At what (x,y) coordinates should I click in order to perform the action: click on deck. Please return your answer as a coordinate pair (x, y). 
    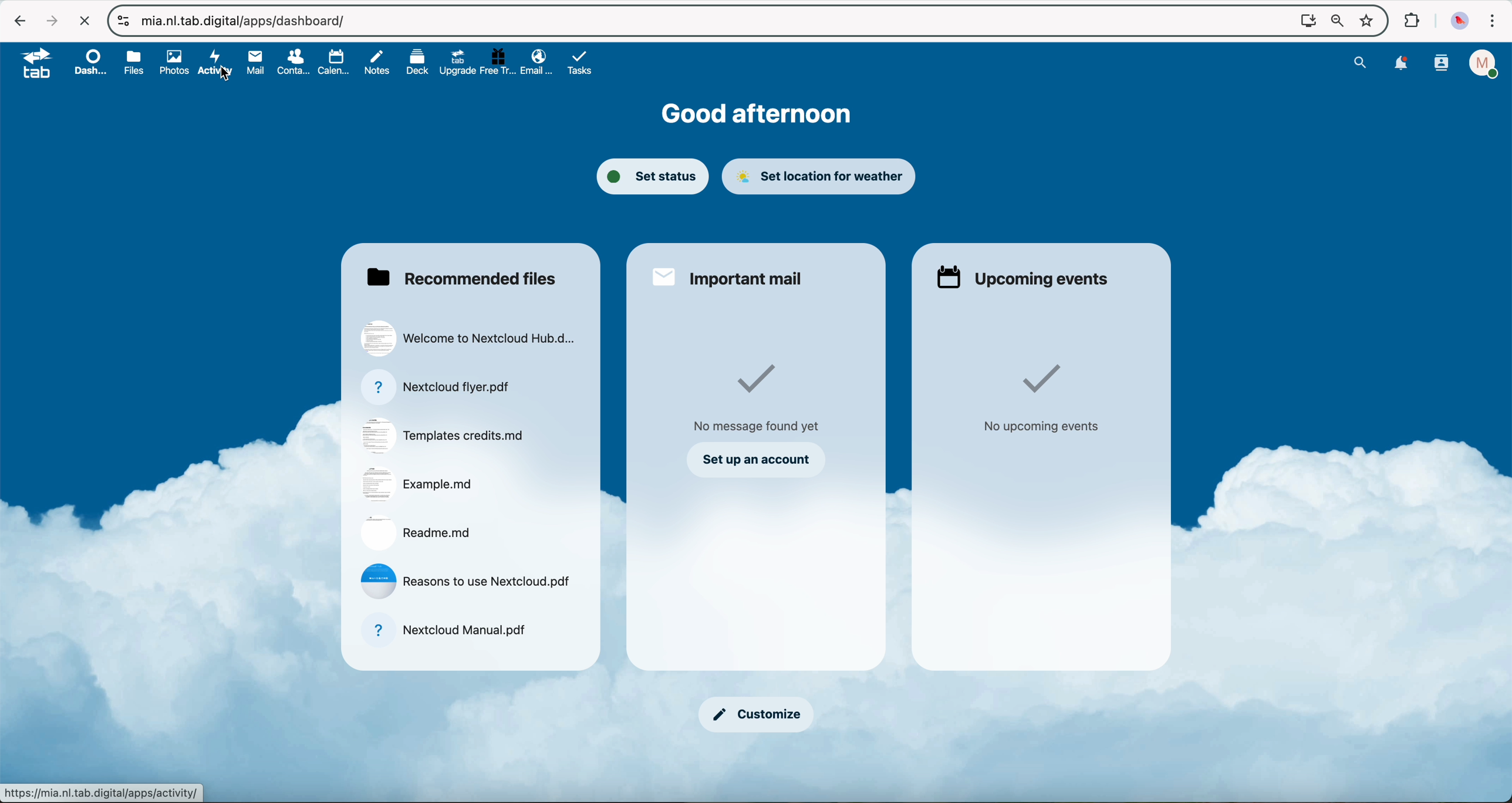
    Looking at the image, I should click on (413, 63).